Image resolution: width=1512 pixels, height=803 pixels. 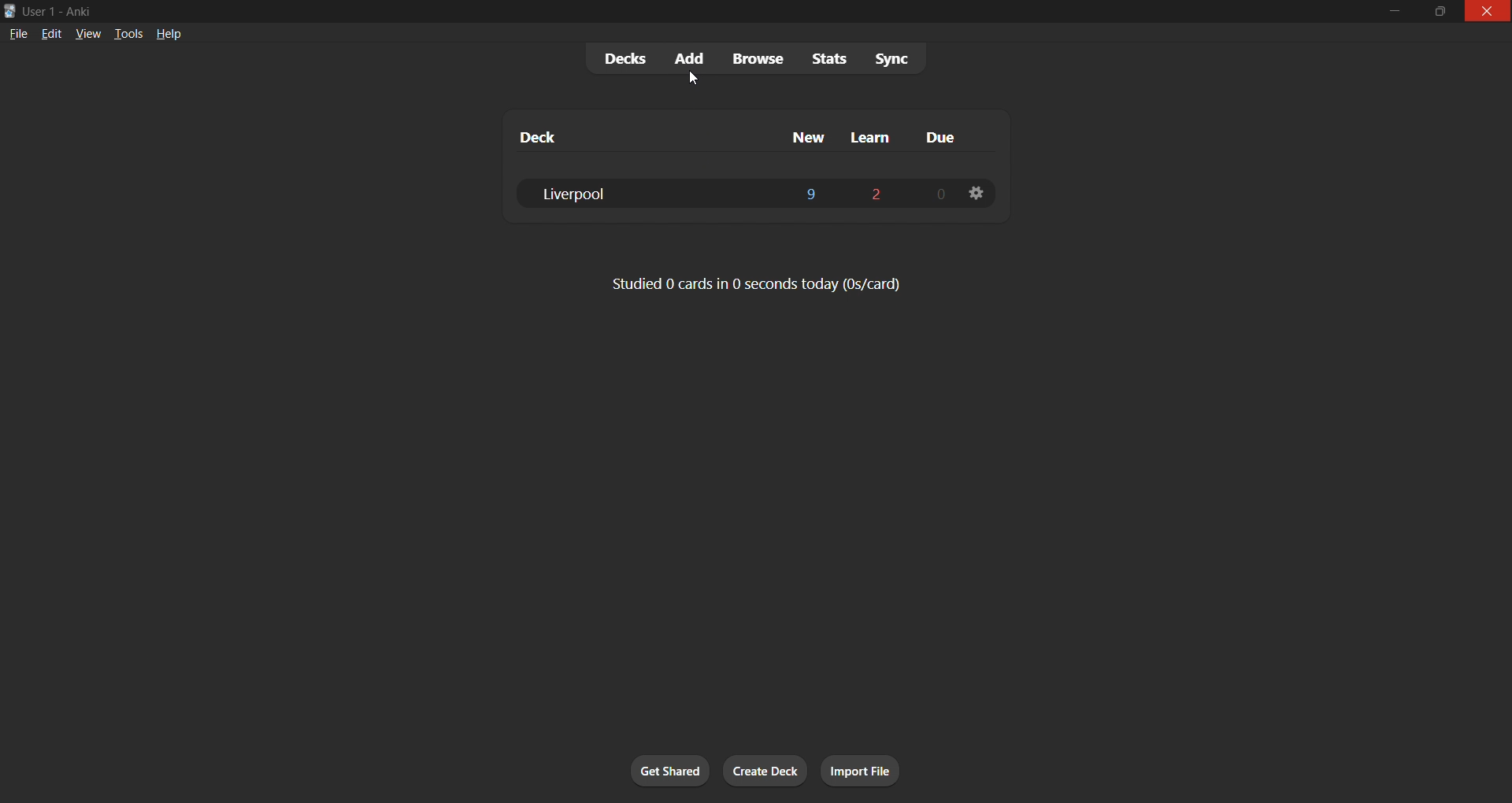 What do you see at coordinates (932, 194) in the screenshot?
I see `0` at bounding box center [932, 194].